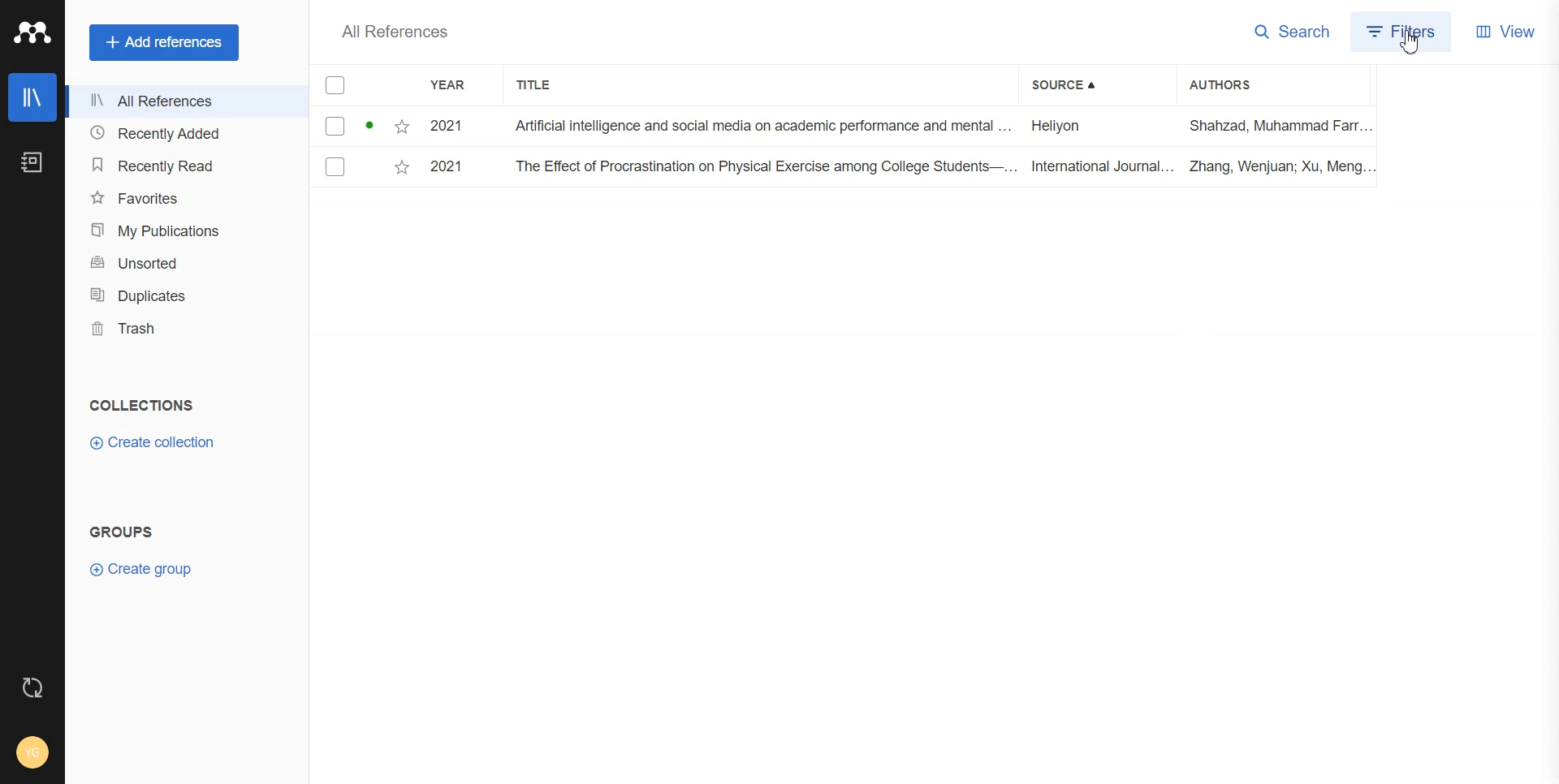  I want to click on Text, so click(122, 532).